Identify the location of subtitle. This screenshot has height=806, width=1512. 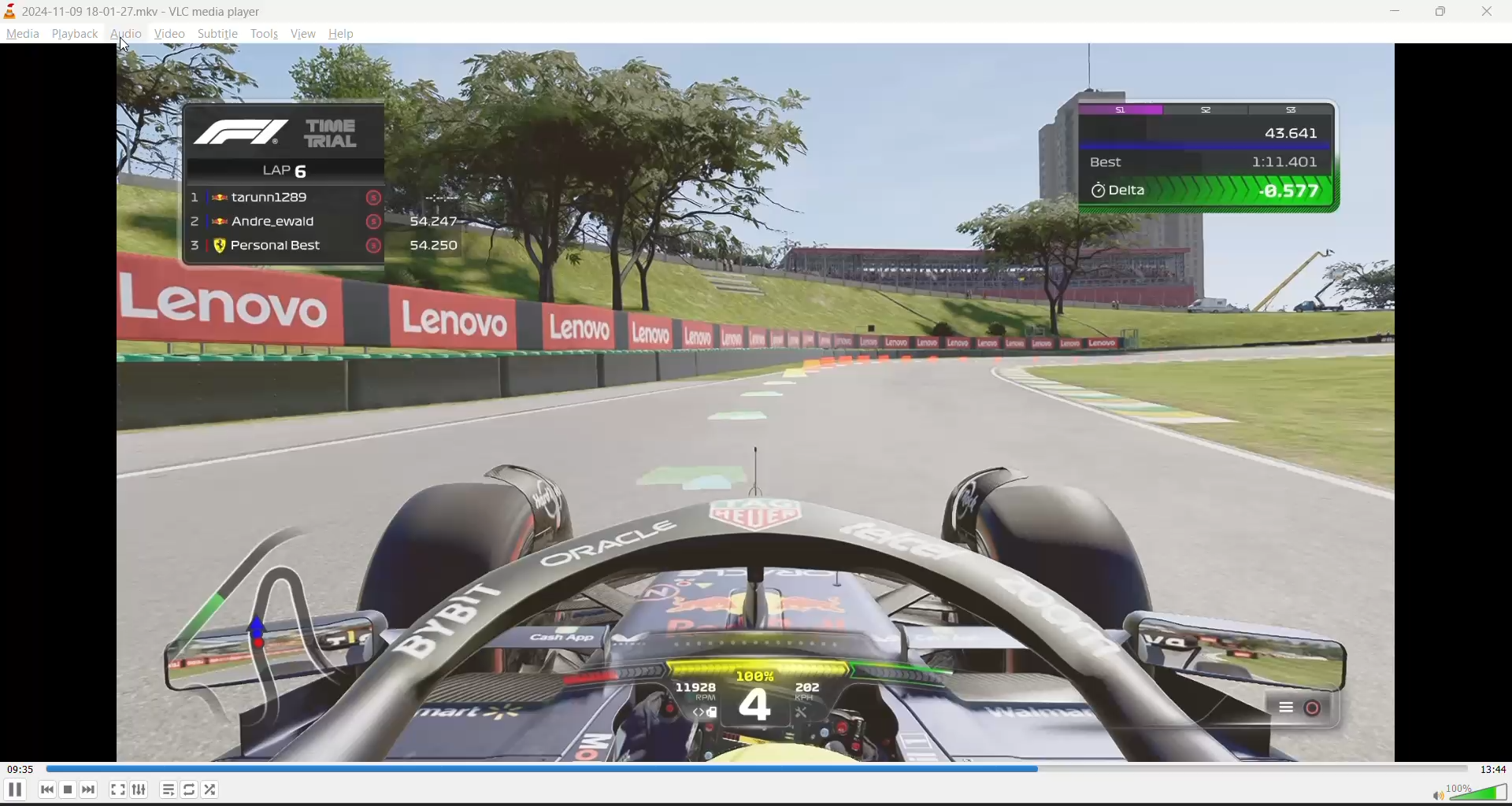
(220, 35).